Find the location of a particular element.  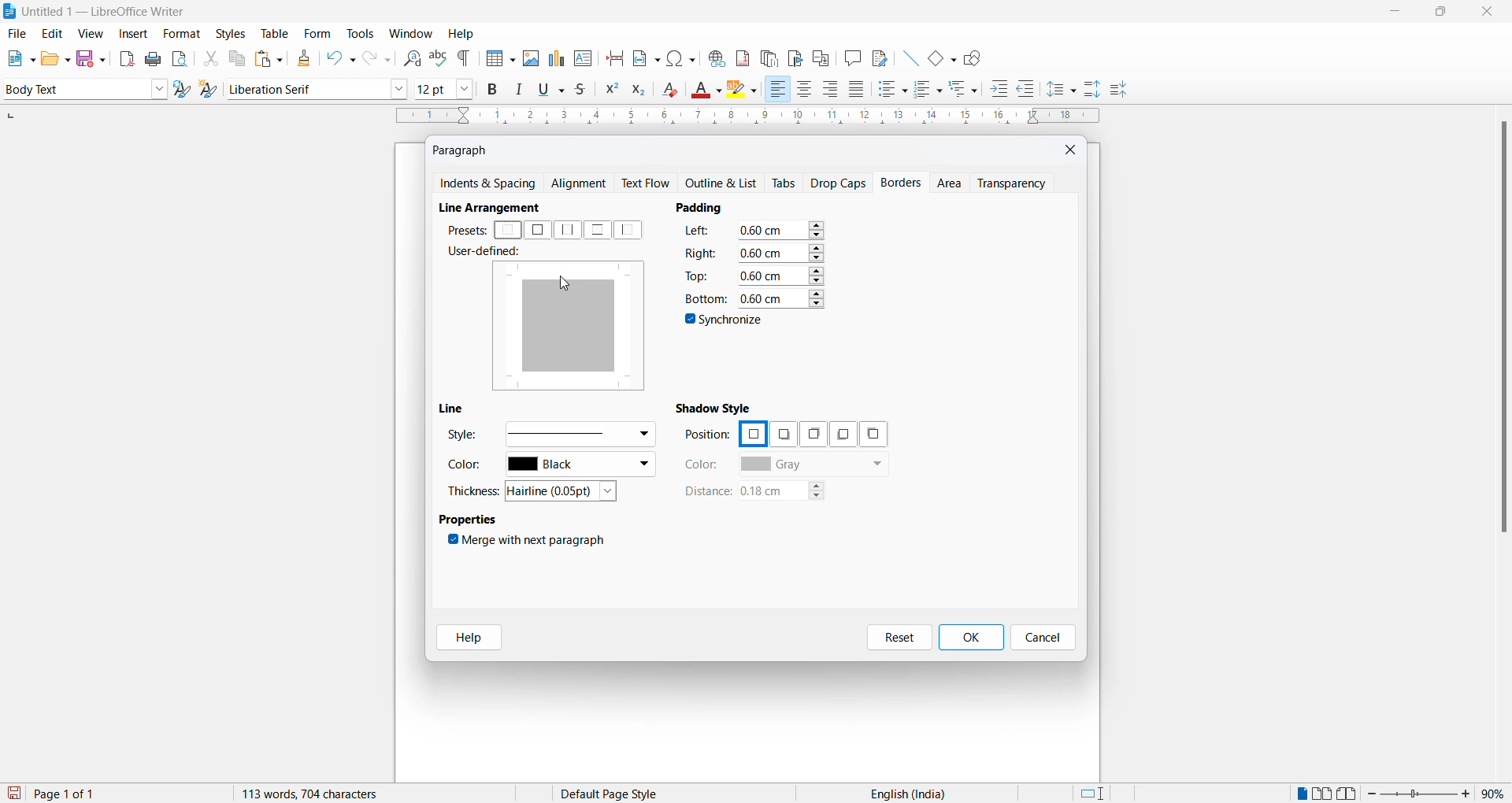

insert image is located at coordinates (530, 58).